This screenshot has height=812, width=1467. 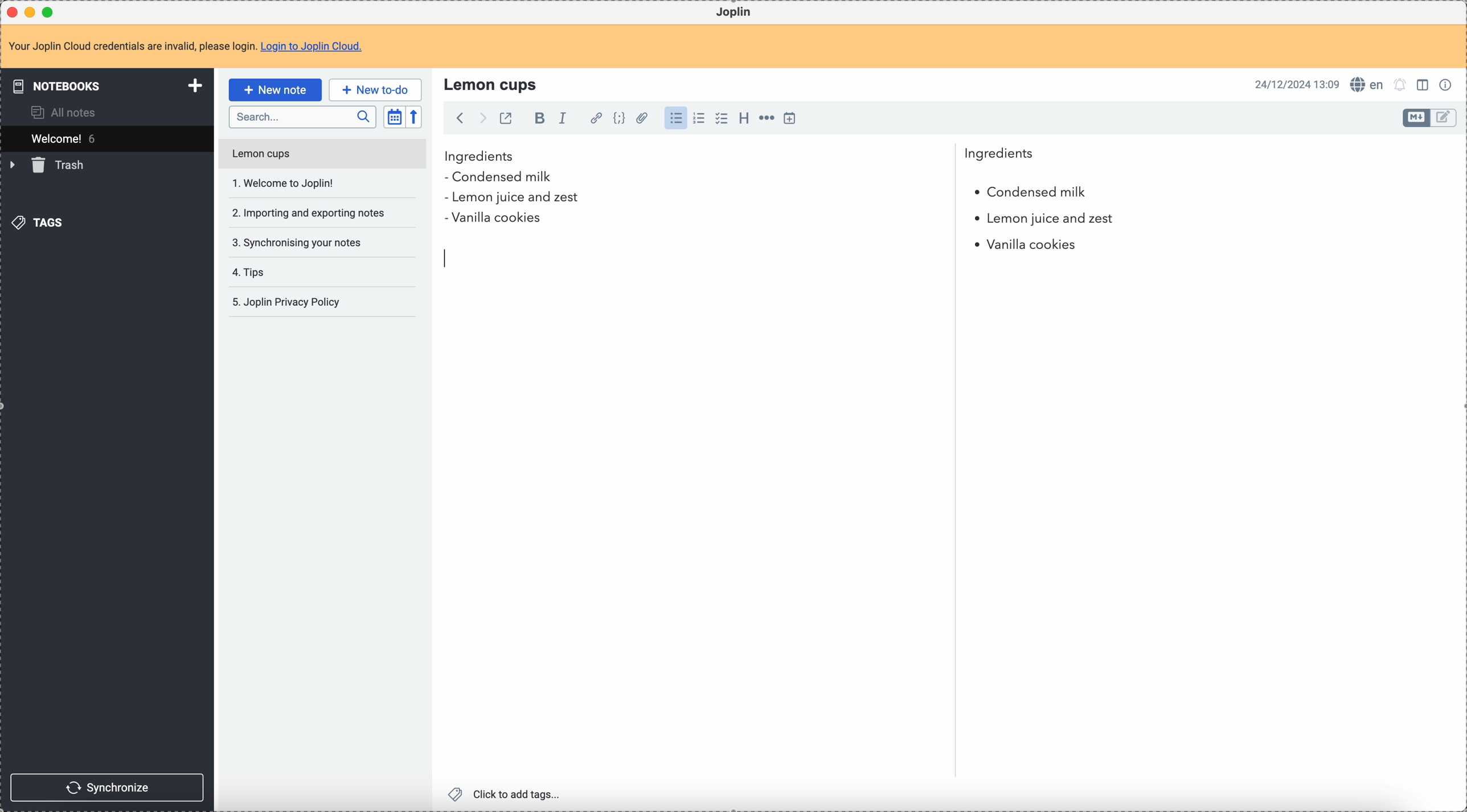 What do you see at coordinates (32, 13) in the screenshot?
I see `minimize` at bounding box center [32, 13].